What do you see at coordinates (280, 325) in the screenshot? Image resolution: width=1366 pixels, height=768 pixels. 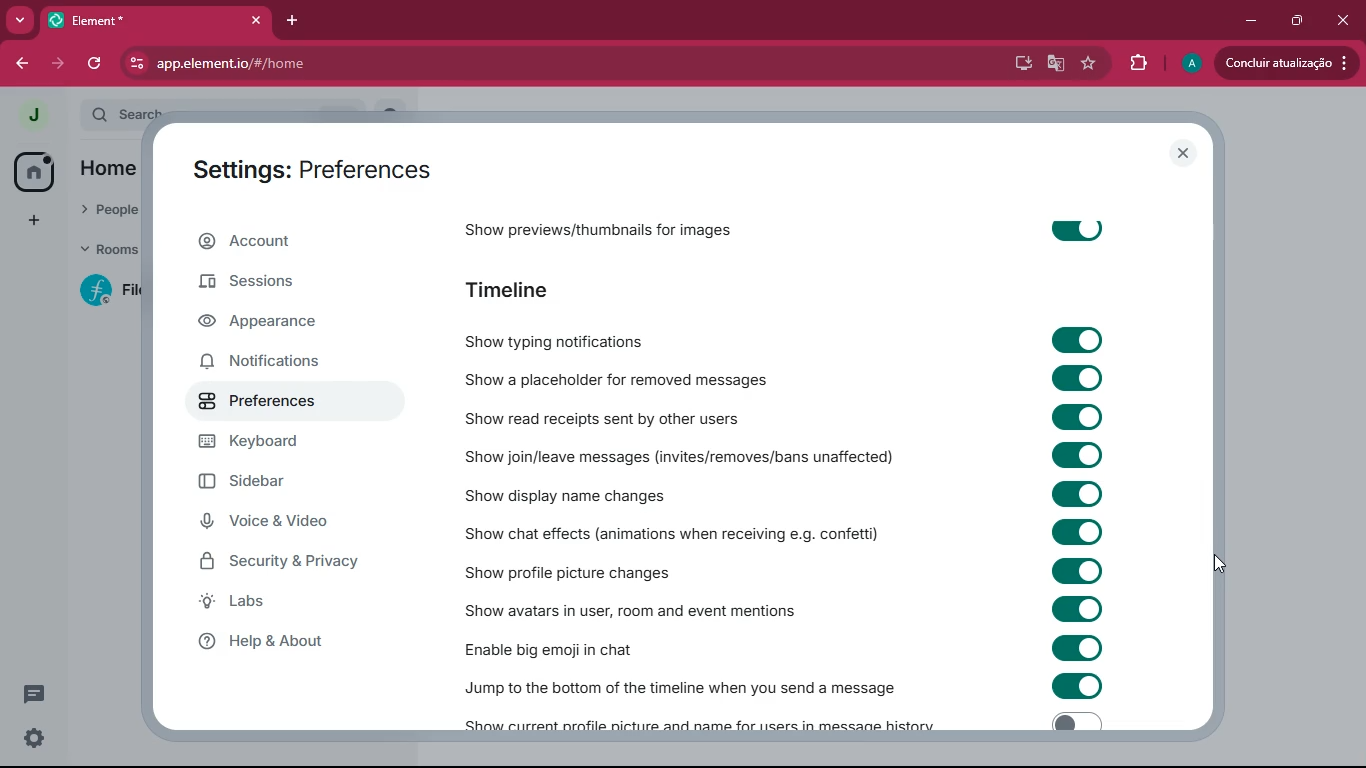 I see `appearance` at bounding box center [280, 325].